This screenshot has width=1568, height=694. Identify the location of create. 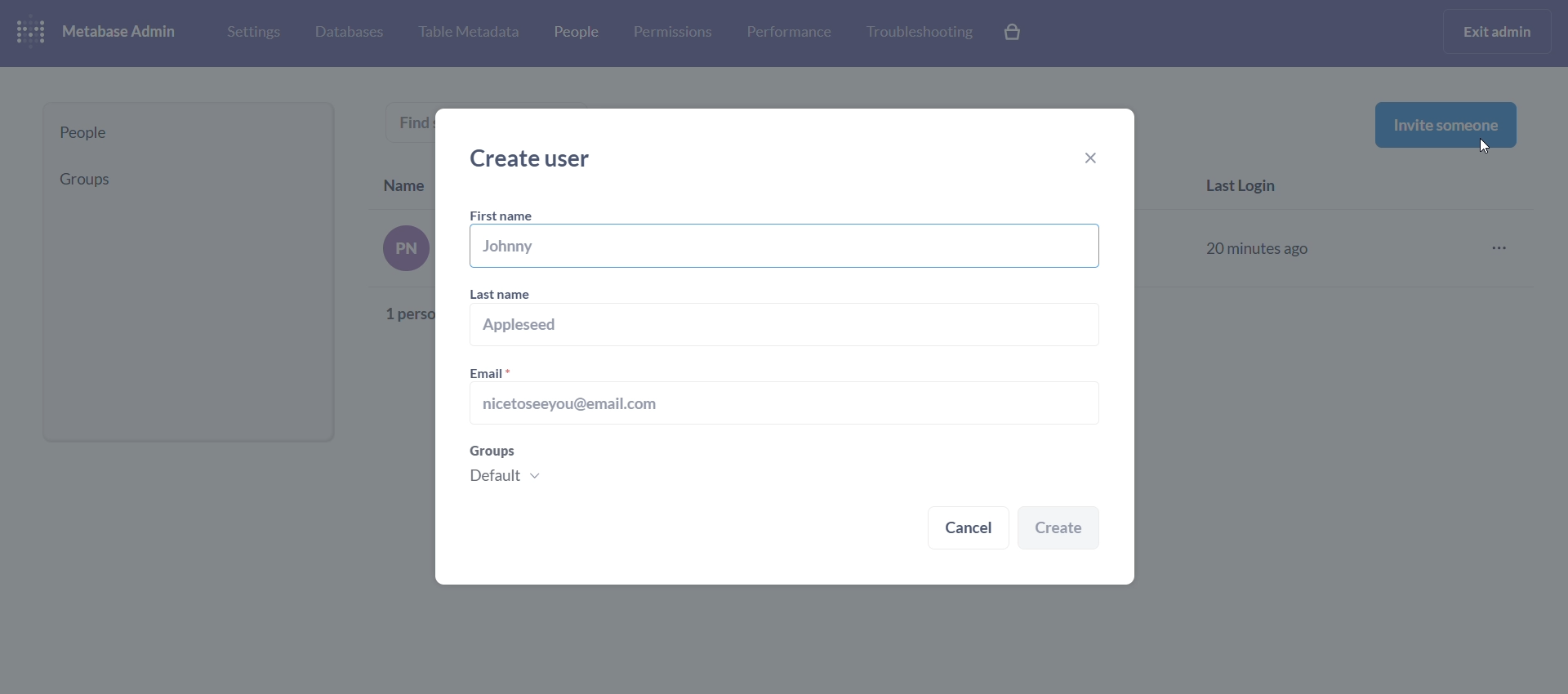
(1059, 529).